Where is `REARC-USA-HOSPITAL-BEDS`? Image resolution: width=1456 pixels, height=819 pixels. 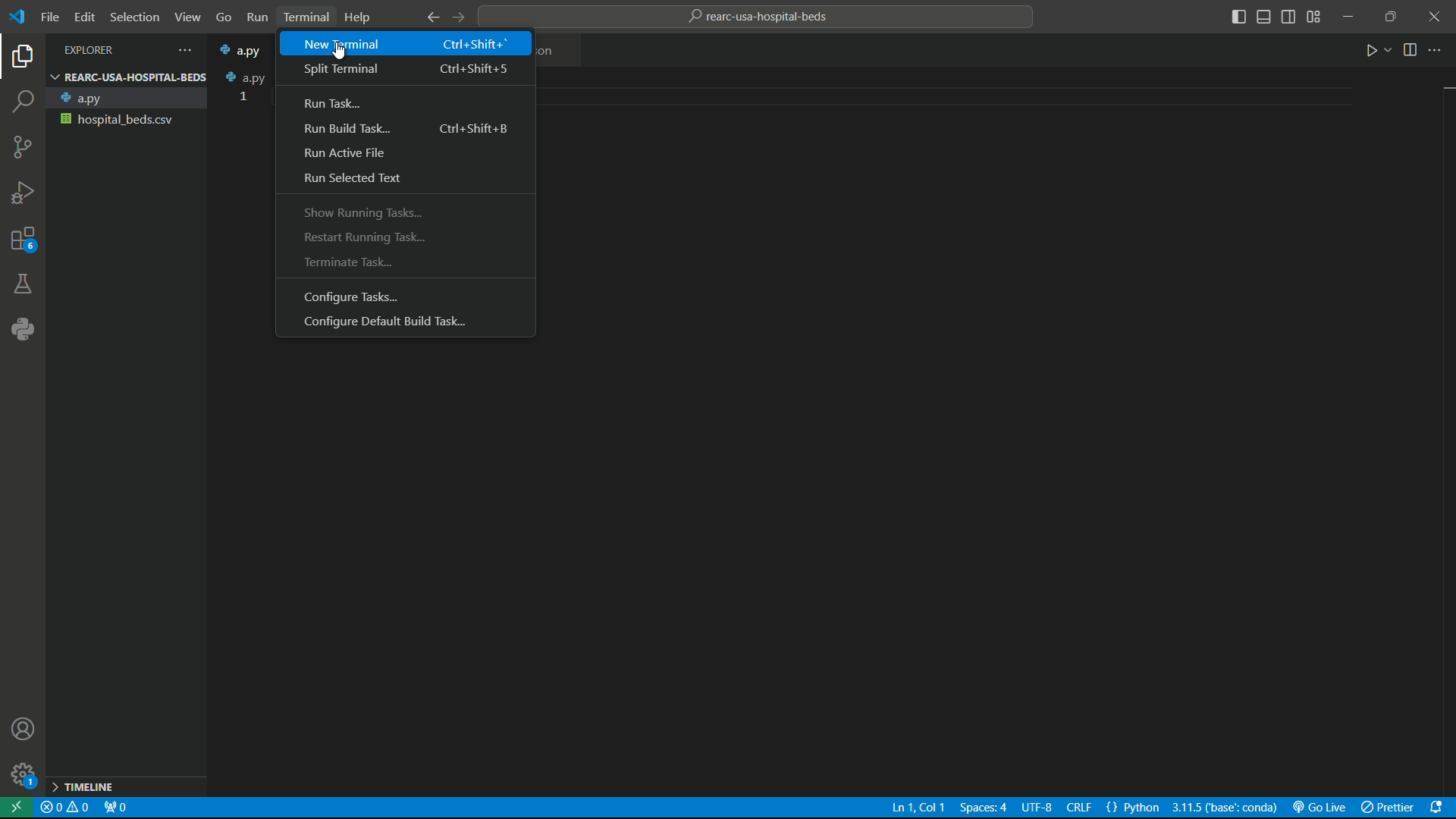
REARC-USA-HOSPITAL-BEDS is located at coordinates (127, 77).